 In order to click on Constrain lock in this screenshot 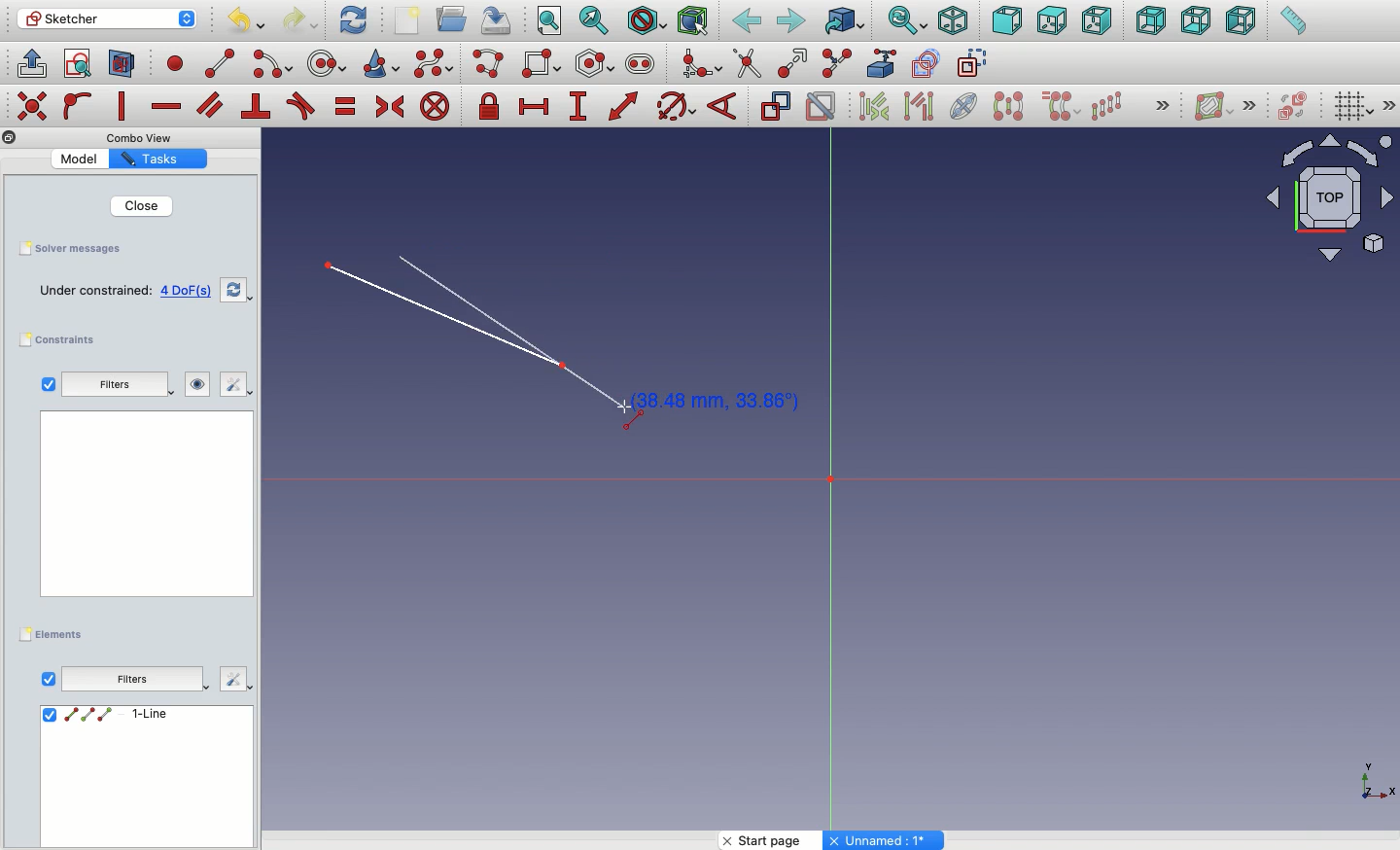, I will do `click(492, 106)`.